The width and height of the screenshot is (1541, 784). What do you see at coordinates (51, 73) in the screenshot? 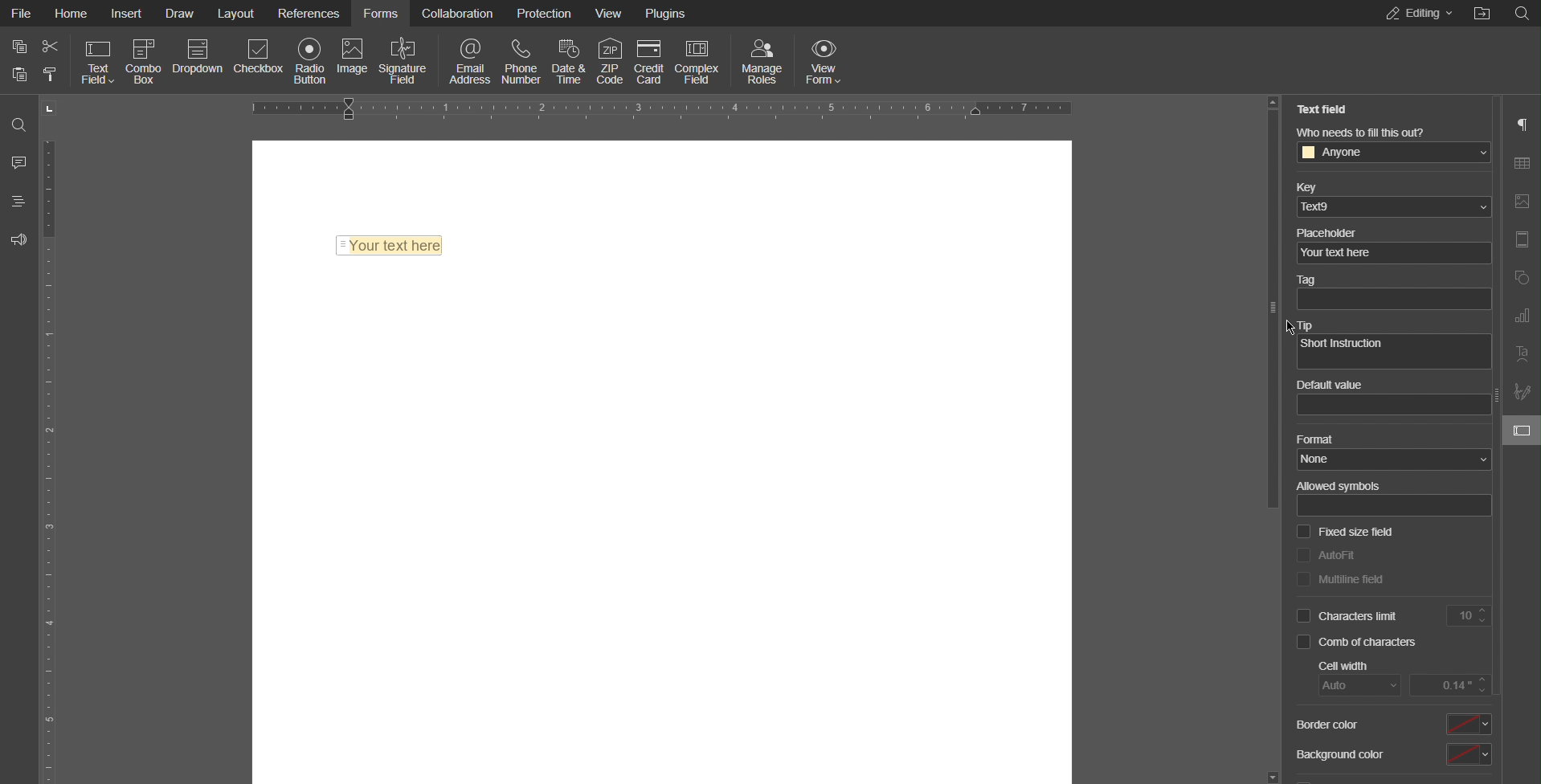
I see `clear formatting` at bounding box center [51, 73].